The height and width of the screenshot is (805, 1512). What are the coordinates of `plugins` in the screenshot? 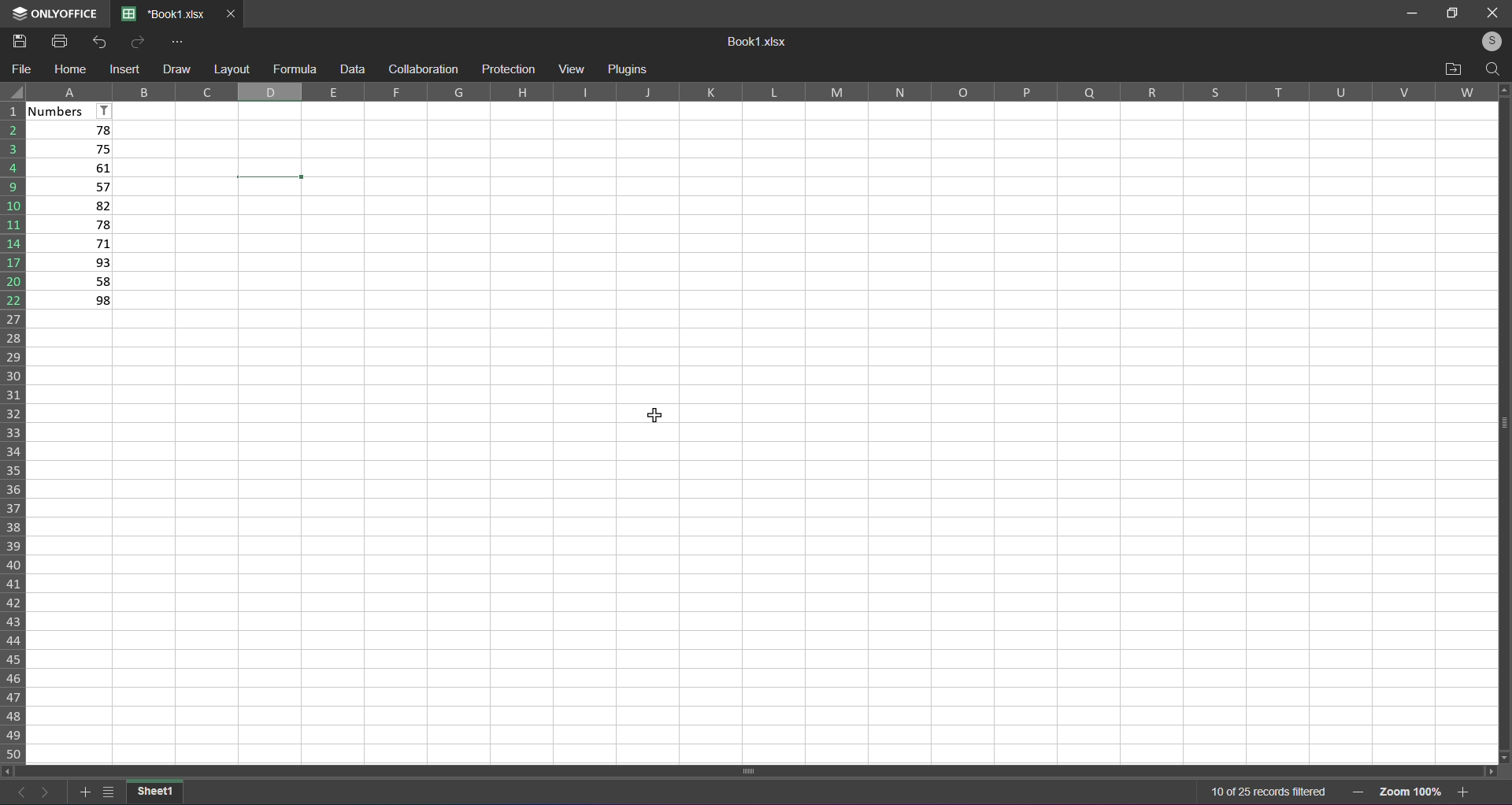 It's located at (628, 70).